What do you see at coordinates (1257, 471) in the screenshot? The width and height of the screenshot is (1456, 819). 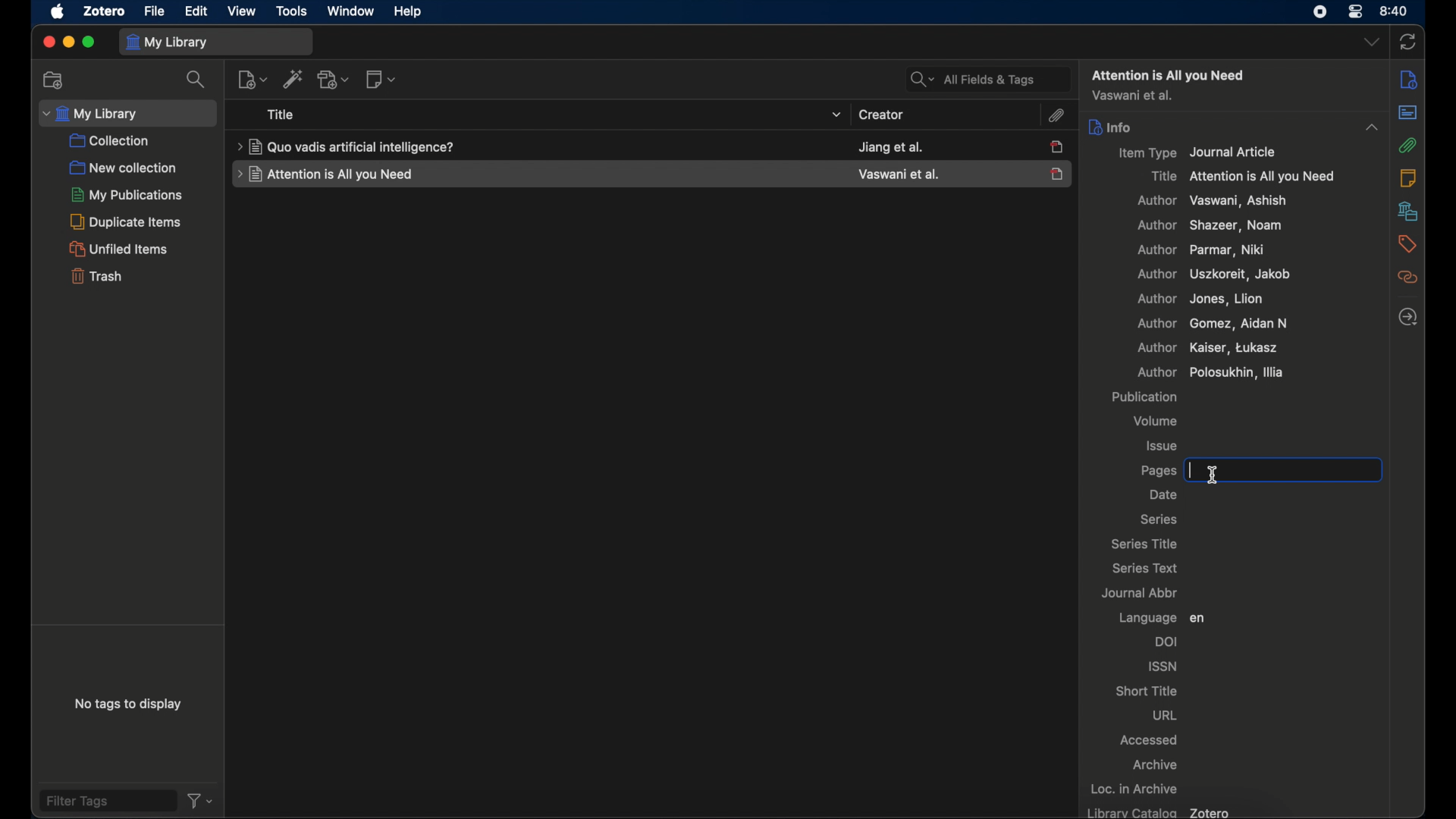 I see `active field` at bounding box center [1257, 471].